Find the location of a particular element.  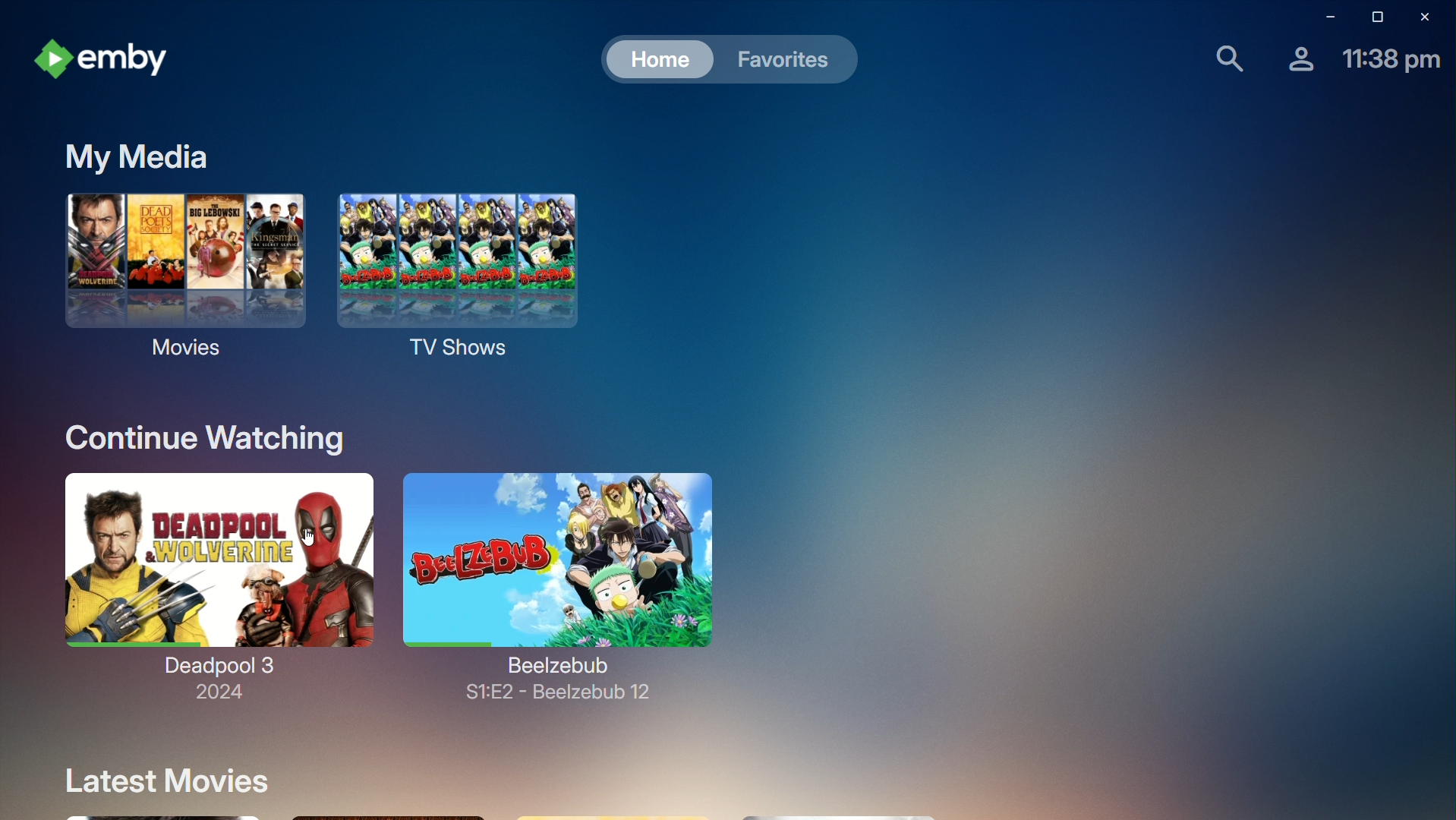

Time is located at coordinates (1388, 58).